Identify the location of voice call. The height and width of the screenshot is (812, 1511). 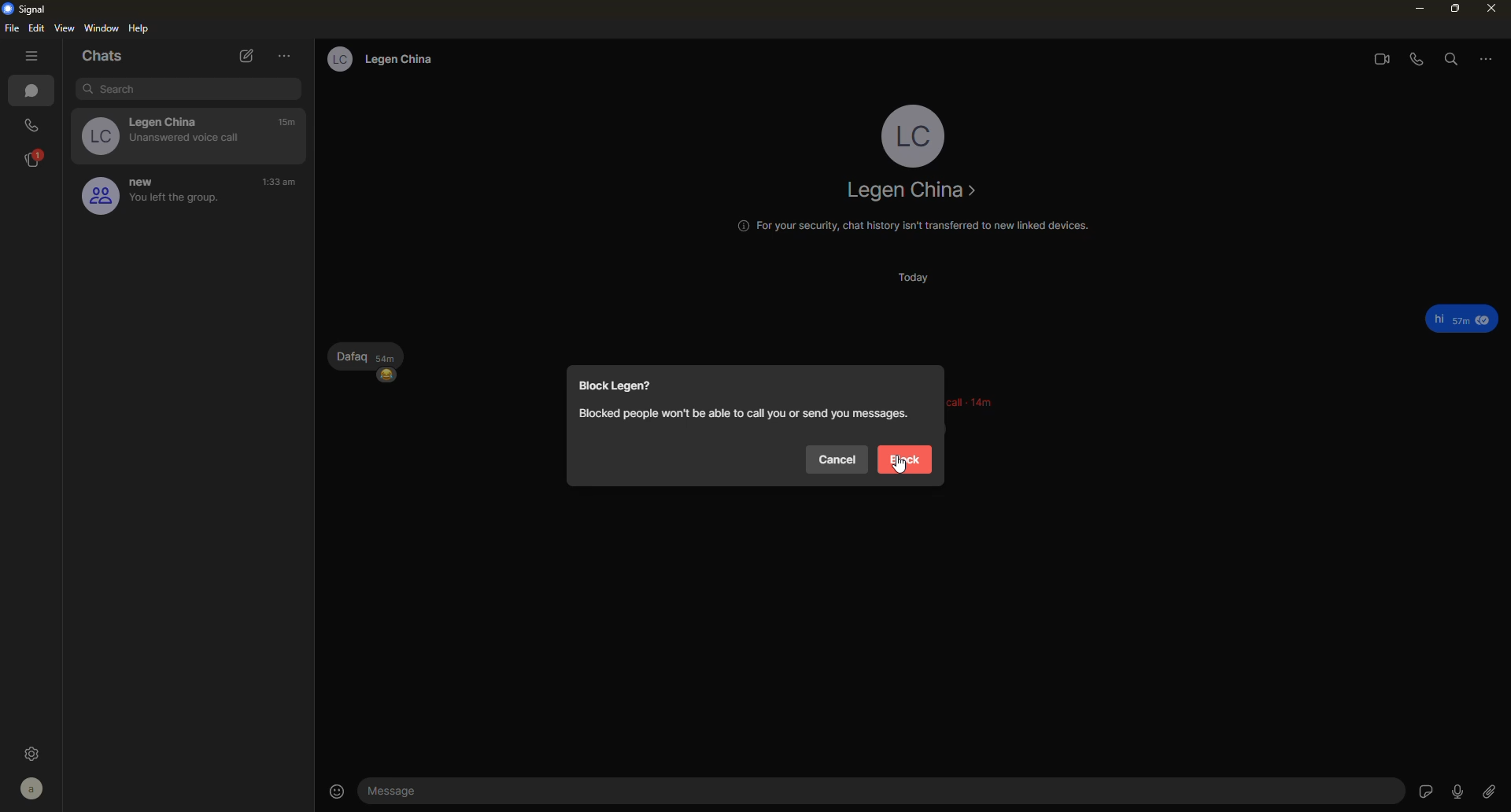
(1418, 58).